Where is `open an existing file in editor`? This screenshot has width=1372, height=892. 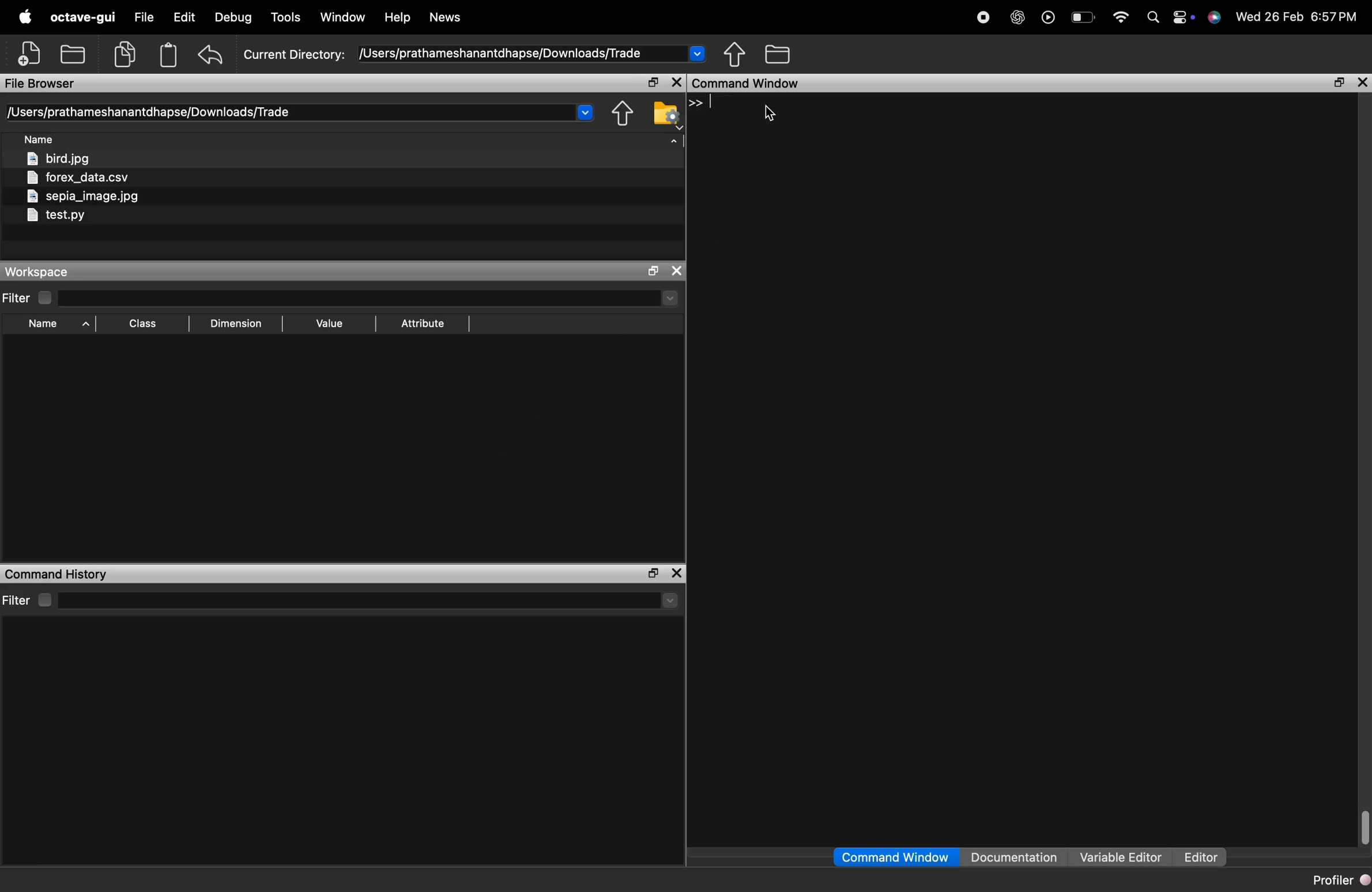
open an existing file in editor is located at coordinates (75, 53).